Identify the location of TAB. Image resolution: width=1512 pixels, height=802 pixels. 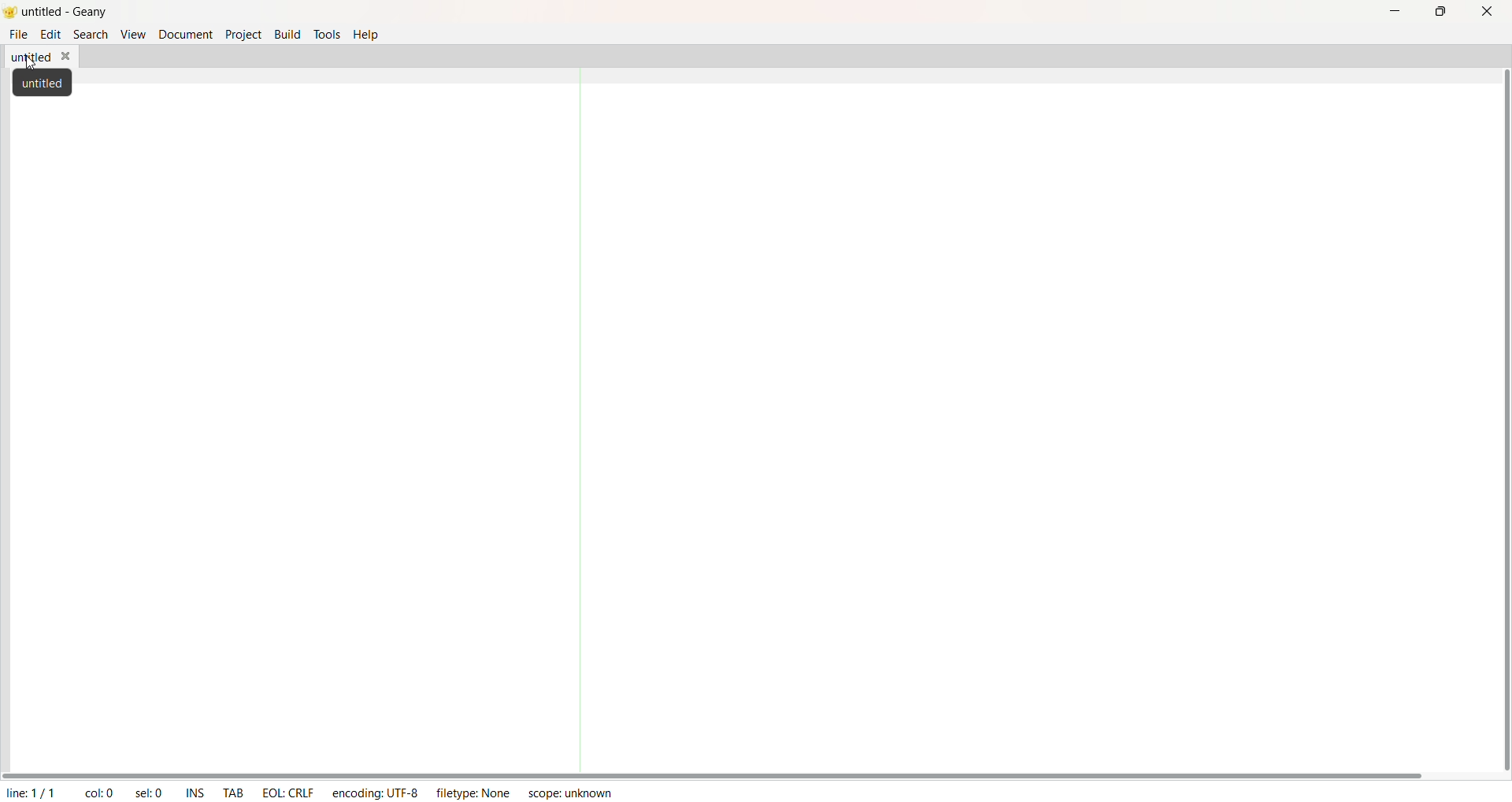
(235, 793).